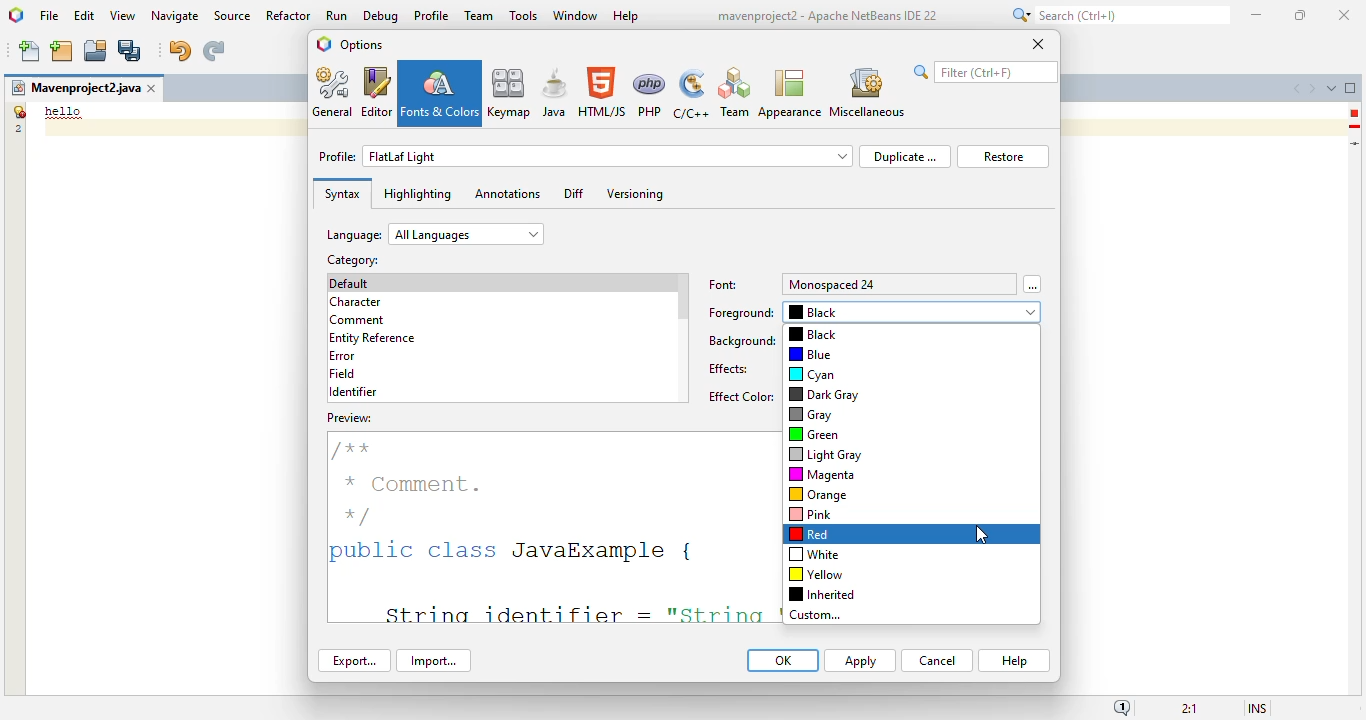 The width and height of the screenshot is (1366, 720). What do you see at coordinates (1356, 143) in the screenshot?
I see `current line` at bounding box center [1356, 143].